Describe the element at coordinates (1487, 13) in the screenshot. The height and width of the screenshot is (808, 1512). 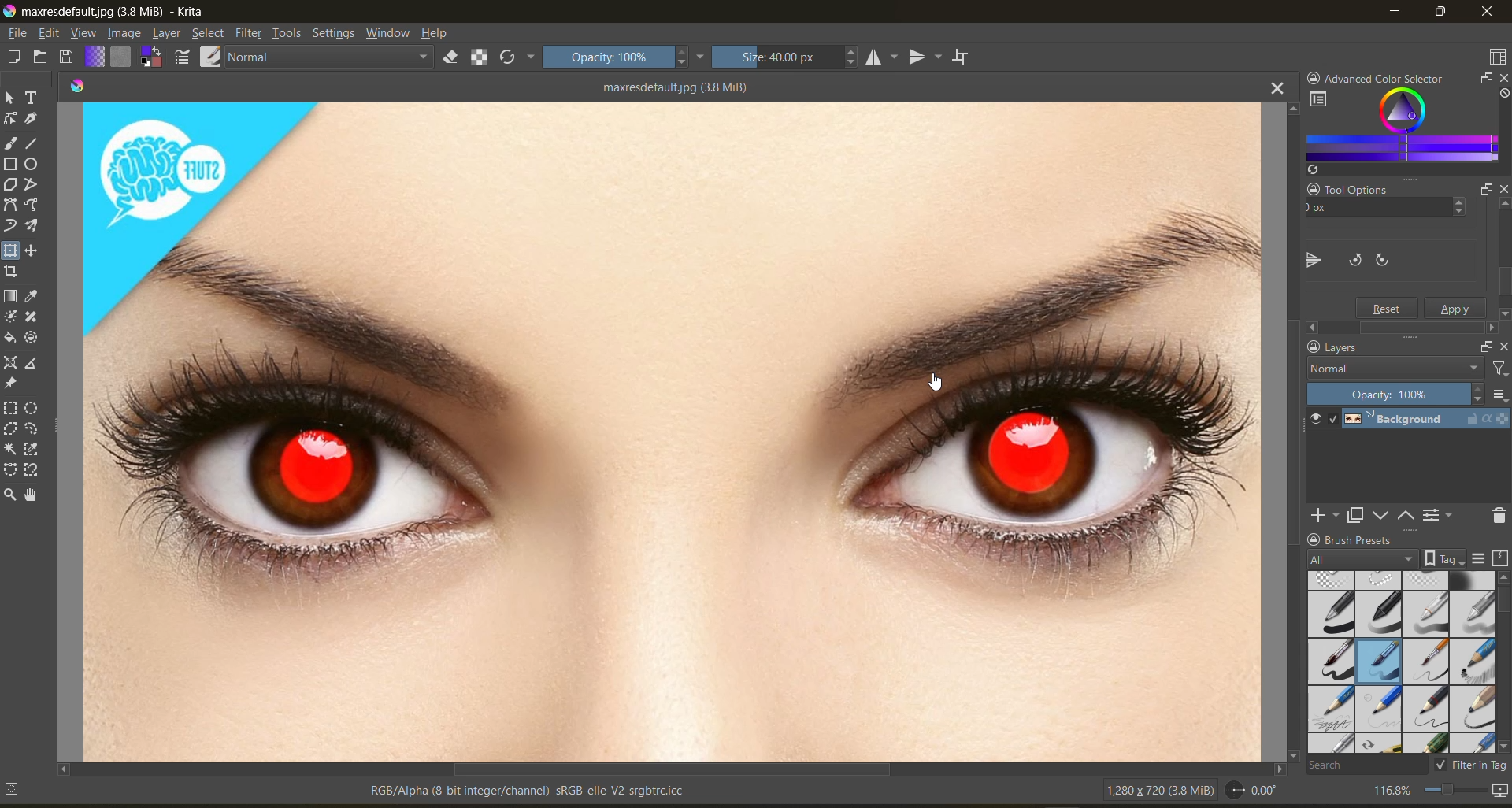
I see `close` at that location.